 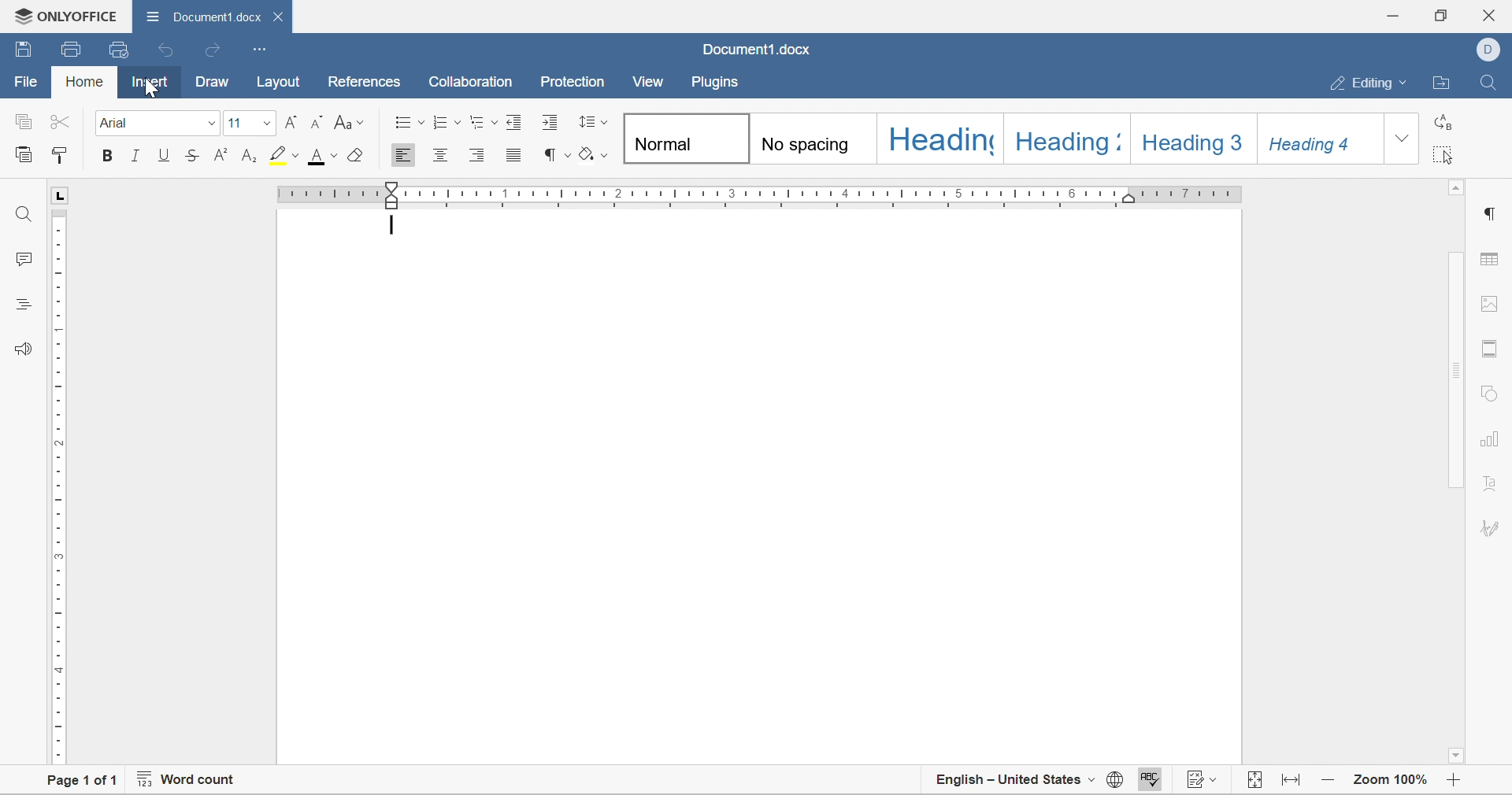 I want to click on Scroll down, so click(x=1459, y=758).